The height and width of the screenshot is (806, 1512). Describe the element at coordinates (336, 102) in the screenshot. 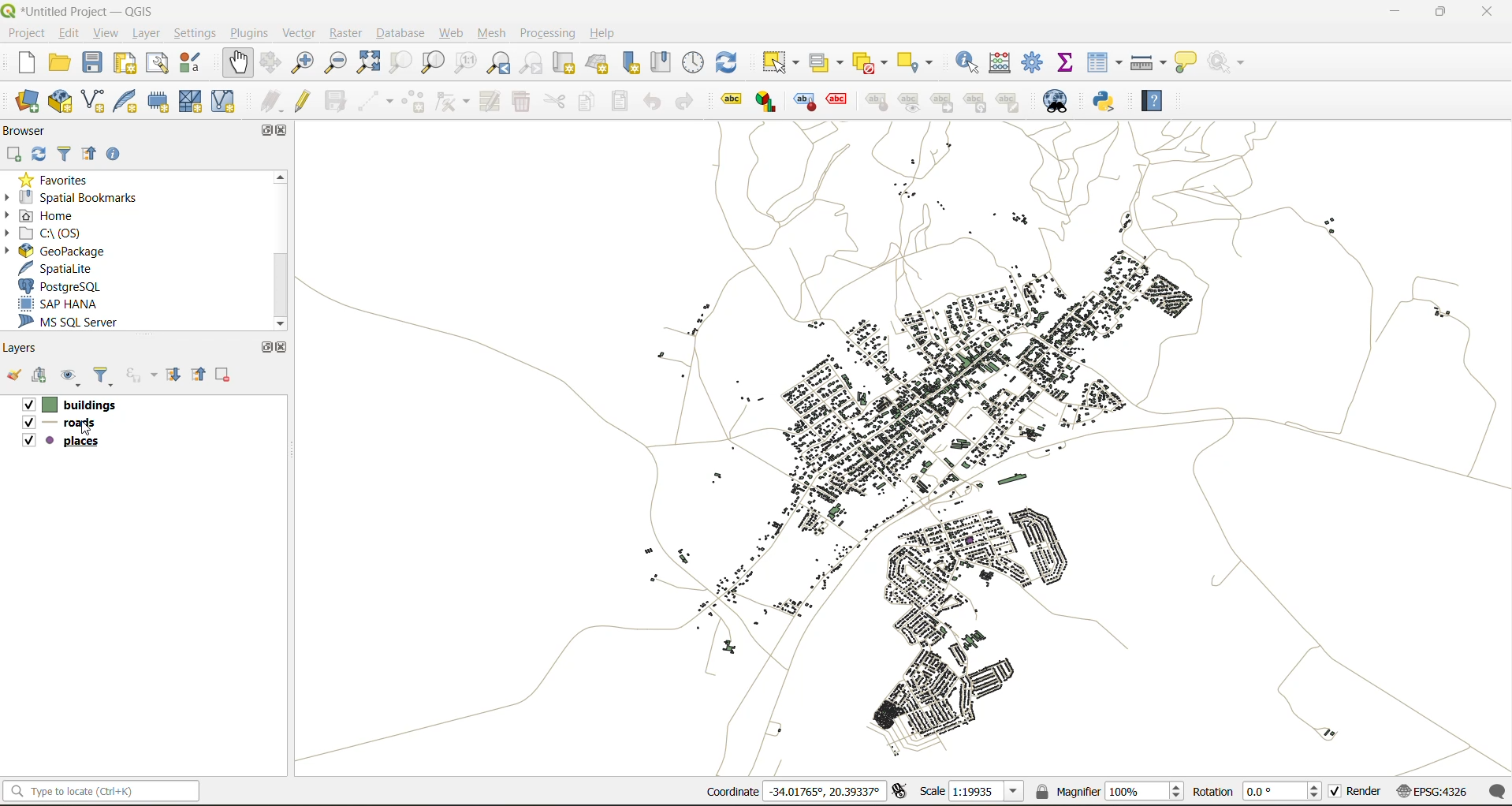

I see `save edits` at that location.